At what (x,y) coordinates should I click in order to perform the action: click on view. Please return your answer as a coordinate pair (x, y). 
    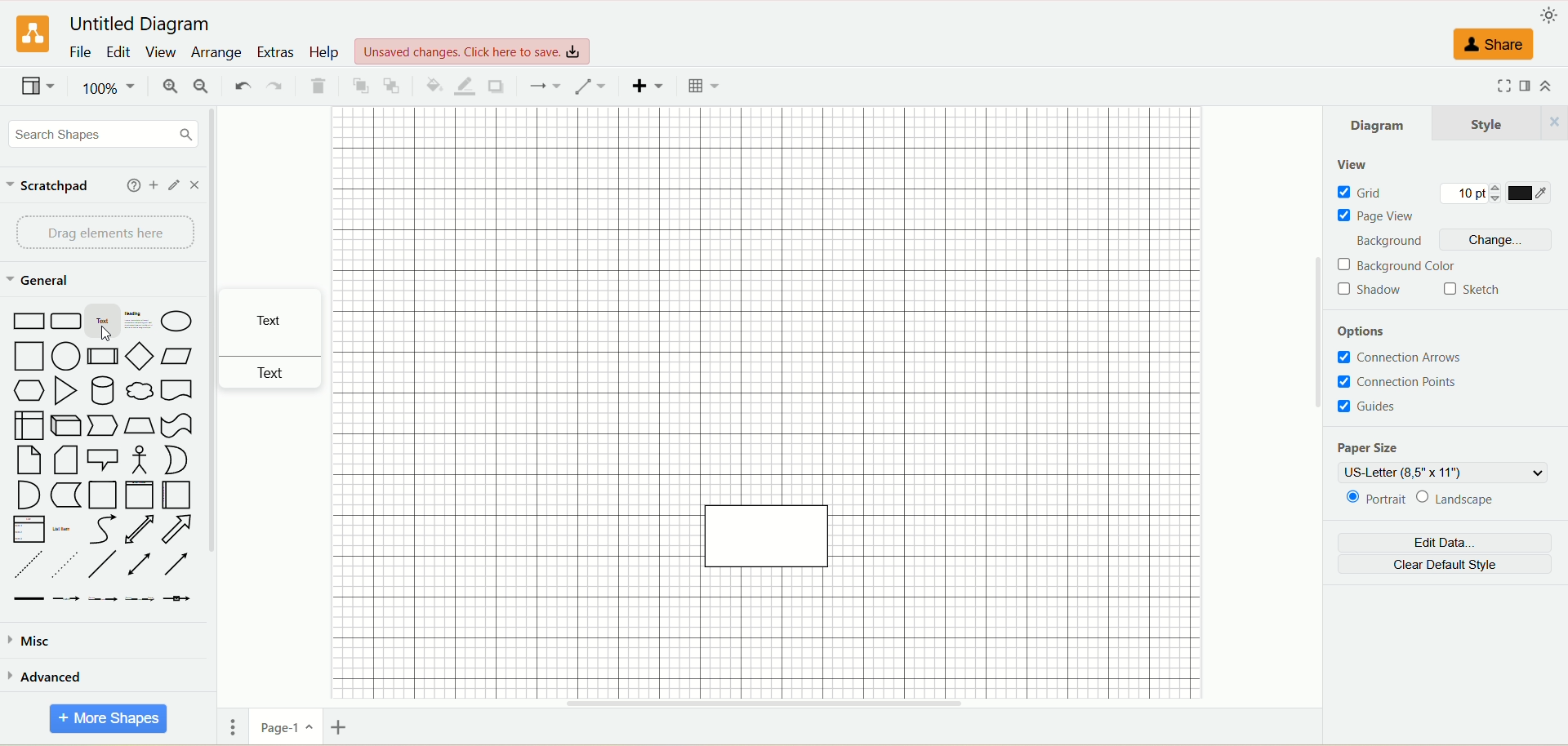
    Looking at the image, I should click on (1361, 164).